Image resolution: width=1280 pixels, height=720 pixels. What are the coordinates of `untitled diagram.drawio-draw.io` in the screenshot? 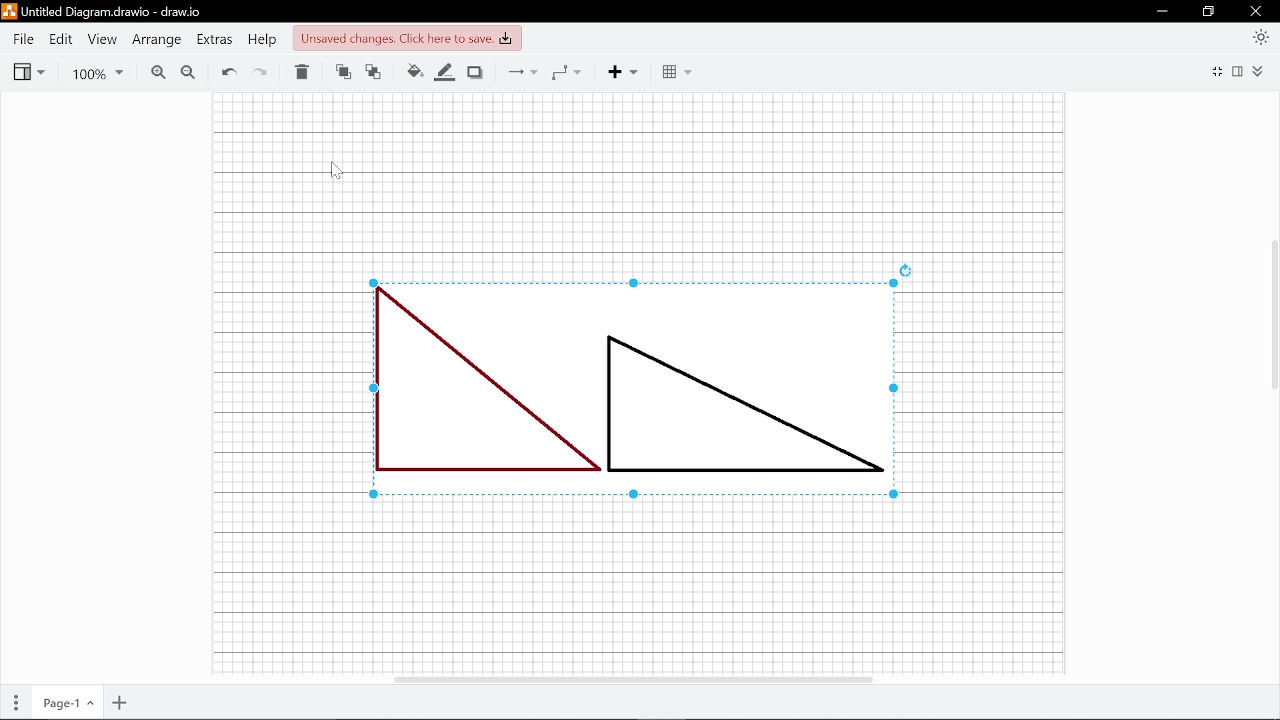 It's located at (114, 11).